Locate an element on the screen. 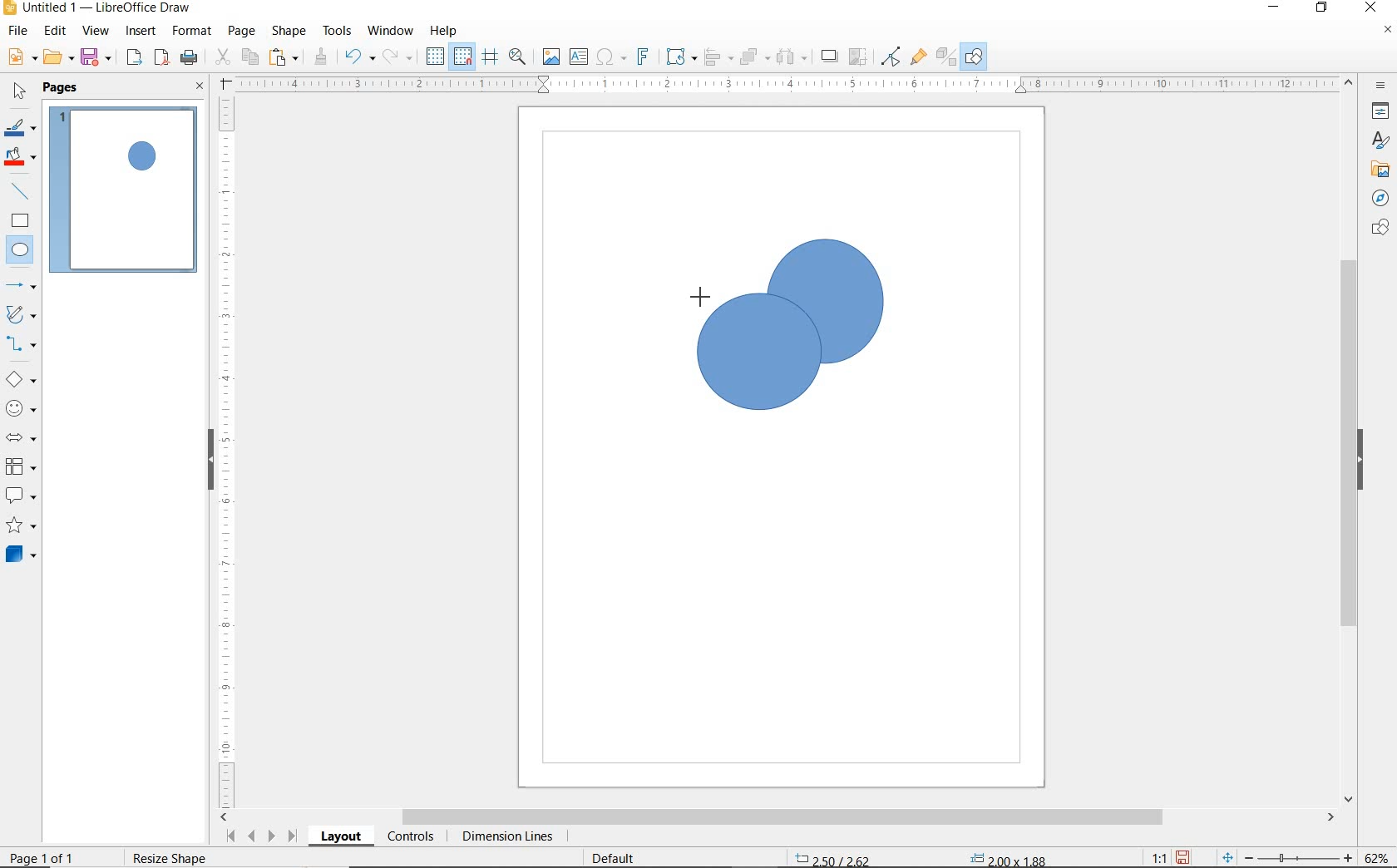 The image size is (1397, 868). LINE COLOR is located at coordinates (20, 127).